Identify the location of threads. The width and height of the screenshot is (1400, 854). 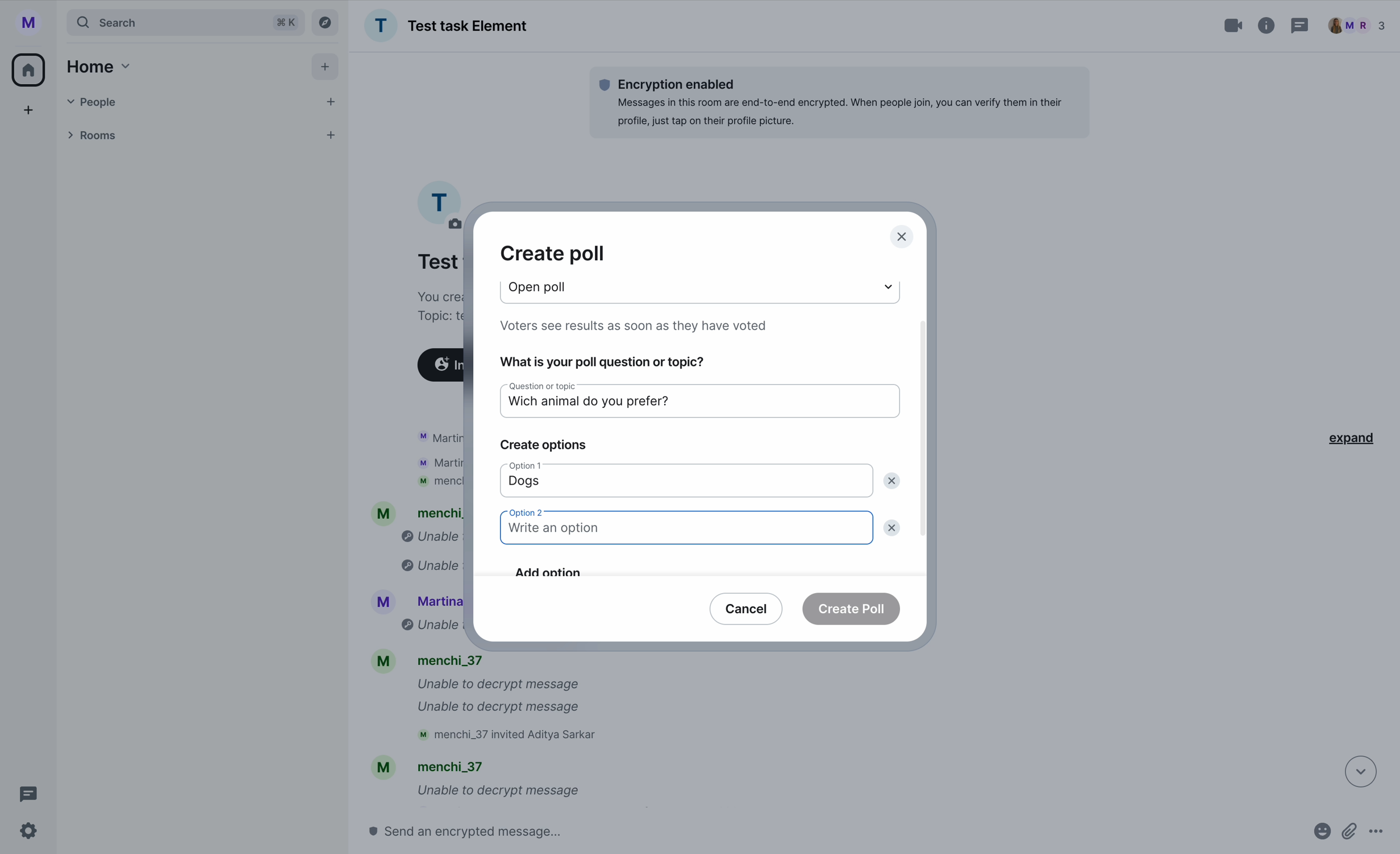
(25, 794).